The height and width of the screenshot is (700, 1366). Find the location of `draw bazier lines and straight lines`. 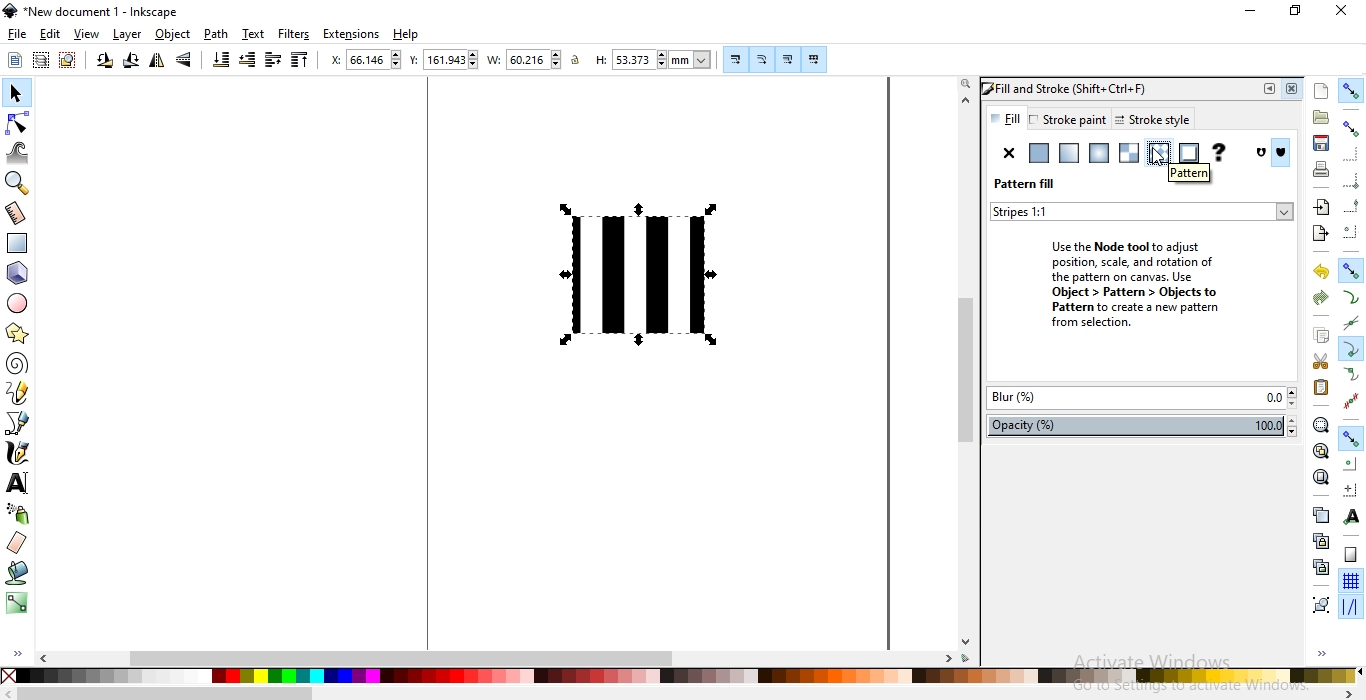

draw bazier lines and straight lines is located at coordinates (18, 423).